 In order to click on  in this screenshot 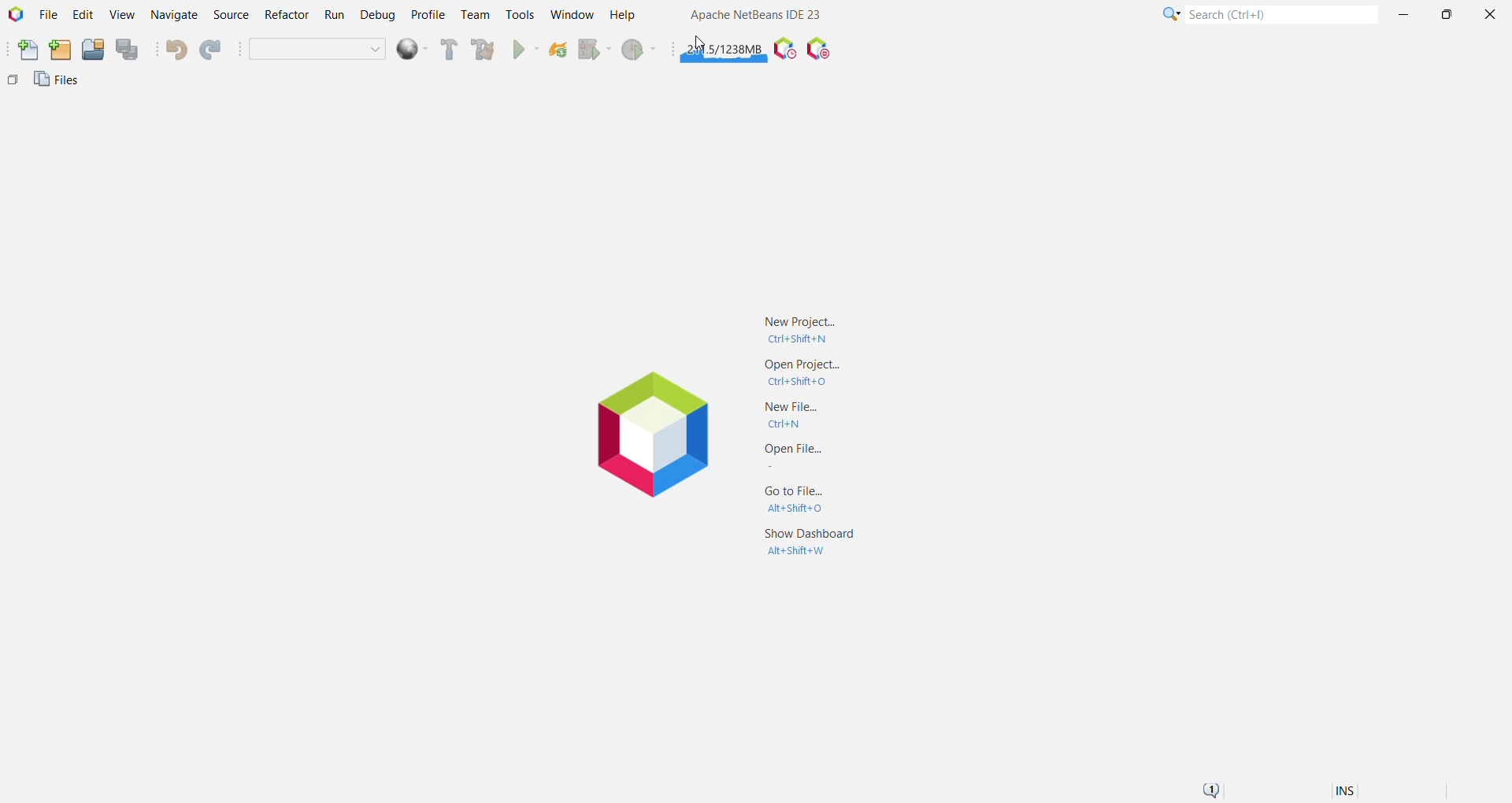, I will do `click(412, 50)`.